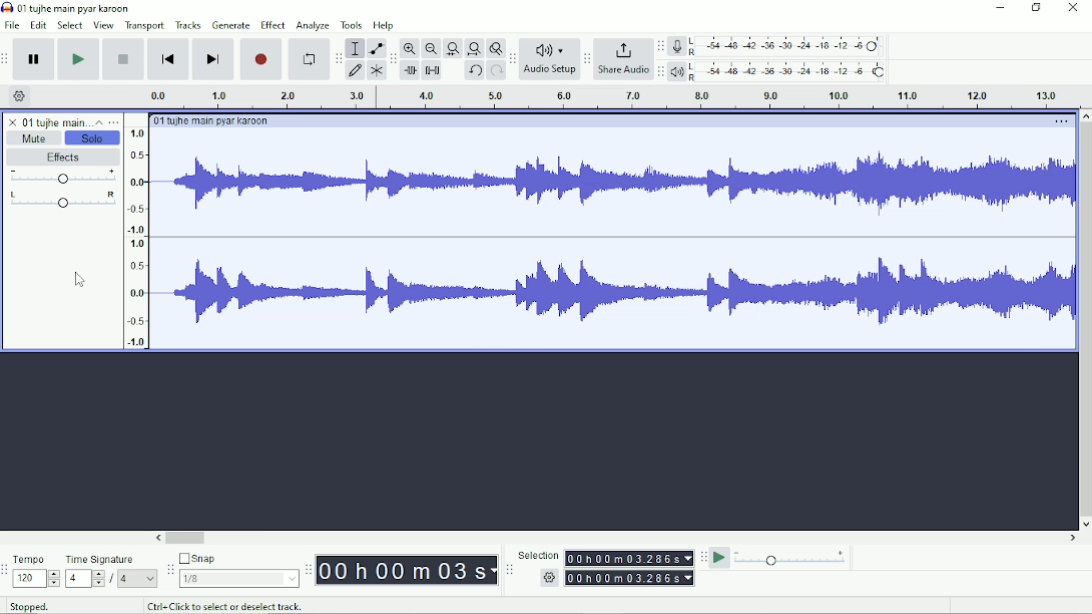 This screenshot has height=614, width=1092. What do you see at coordinates (587, 58) in the screenshot?
I see `Audacity share audio toolbar` at bounding box center [587, 58].